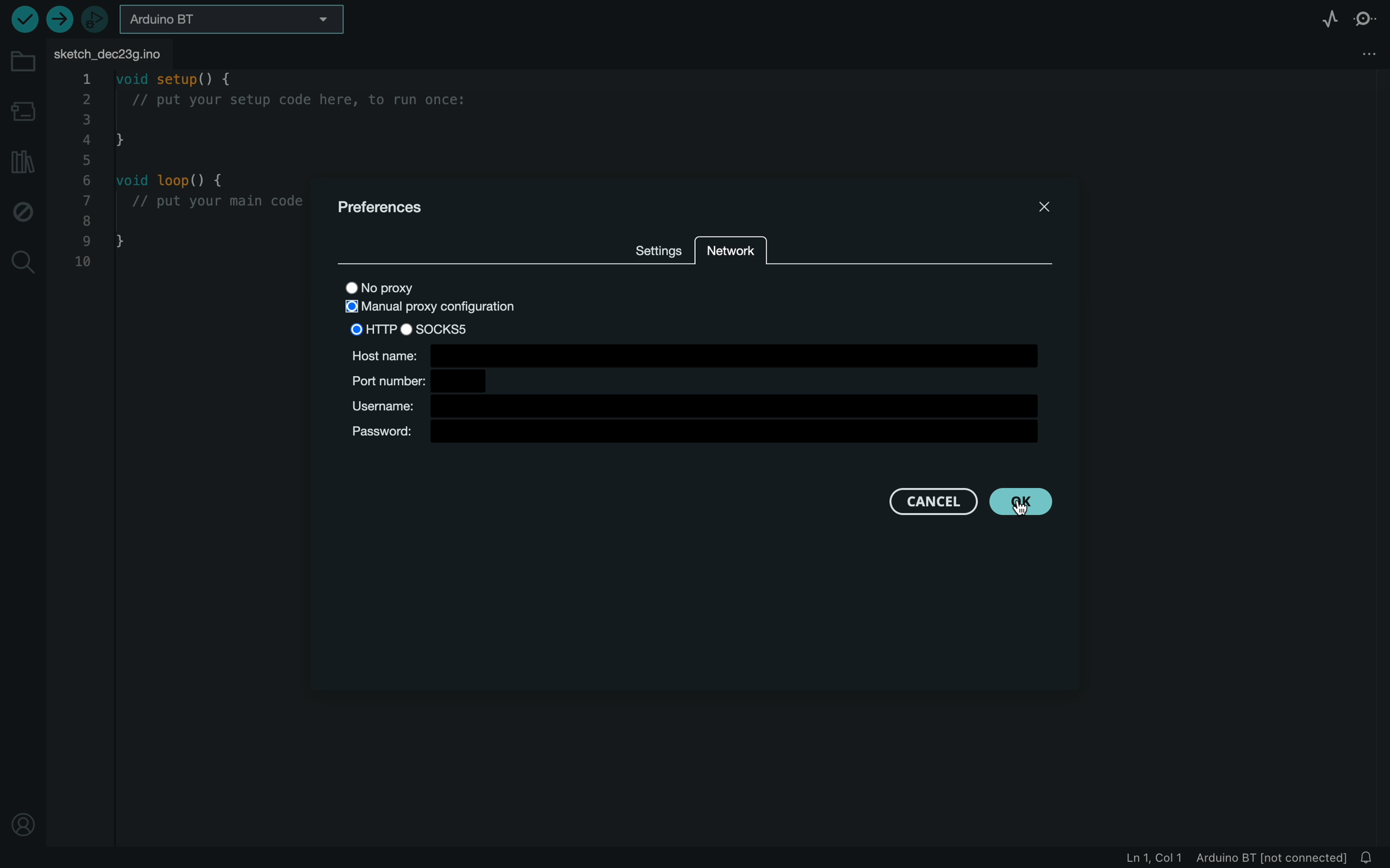  I want to click on folder, so click(23, 61).